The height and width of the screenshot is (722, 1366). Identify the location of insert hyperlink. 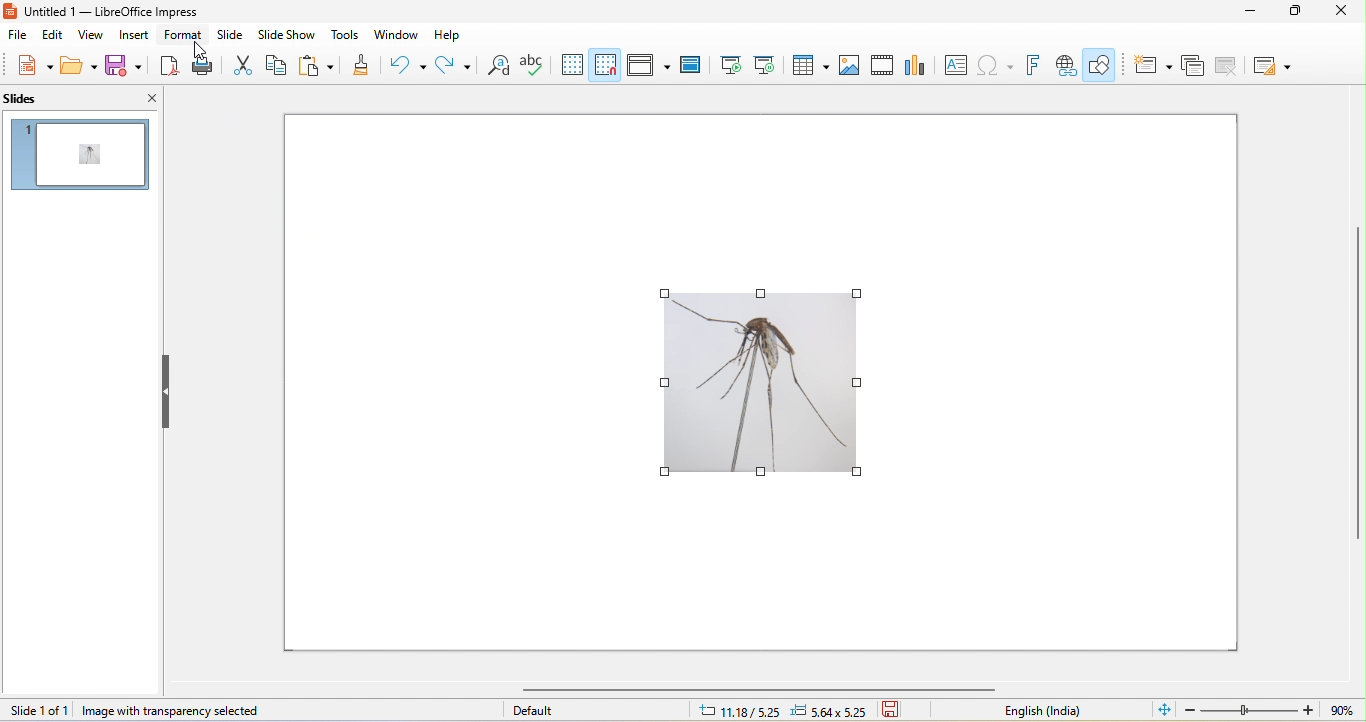
(1066, 67).